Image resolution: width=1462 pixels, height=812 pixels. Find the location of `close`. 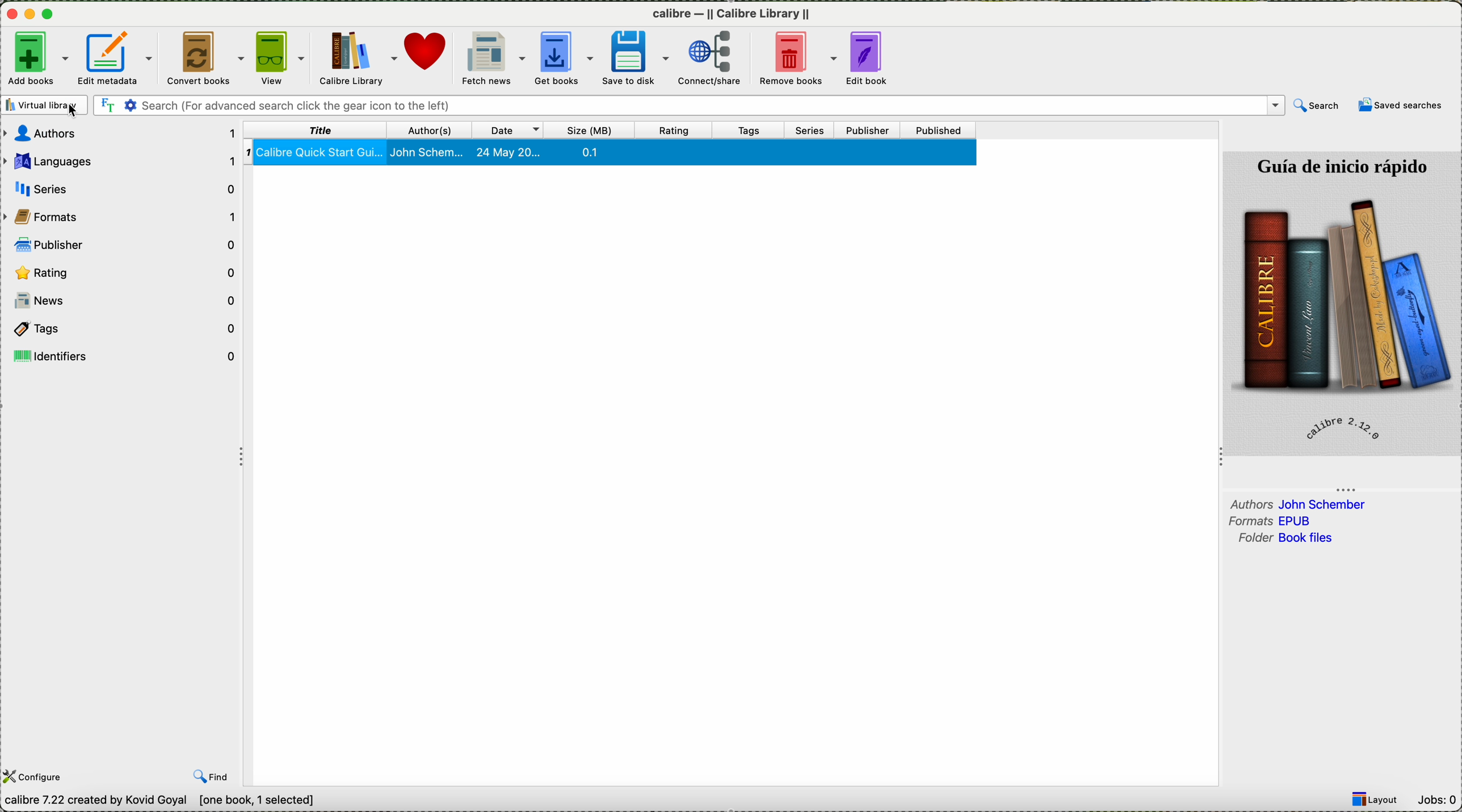

close is located at coordinates (10, 16).